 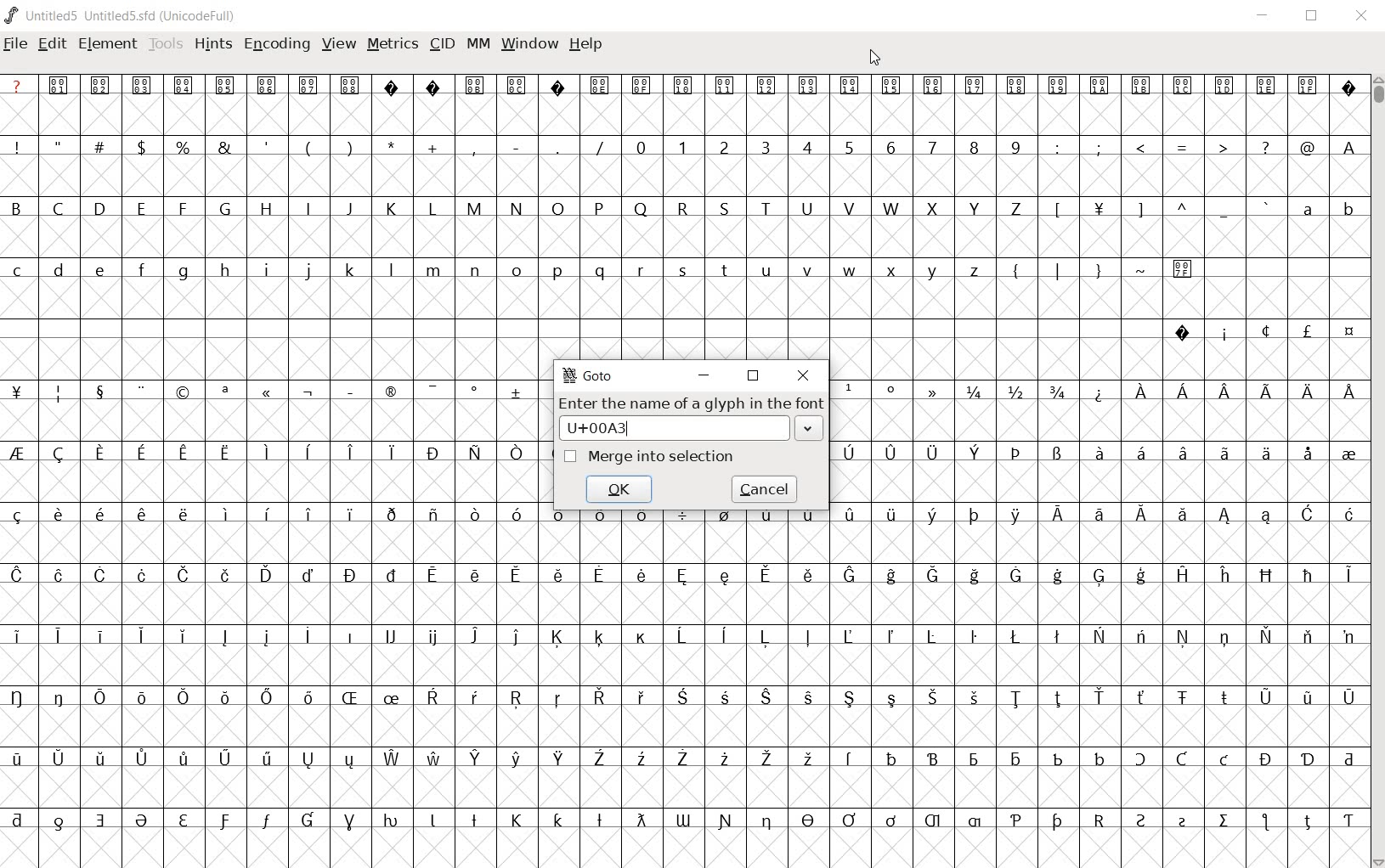 What do you see at coordinates (349, 634) in the screenshot?
I see `Symbol` at bounding box center [349, 634].